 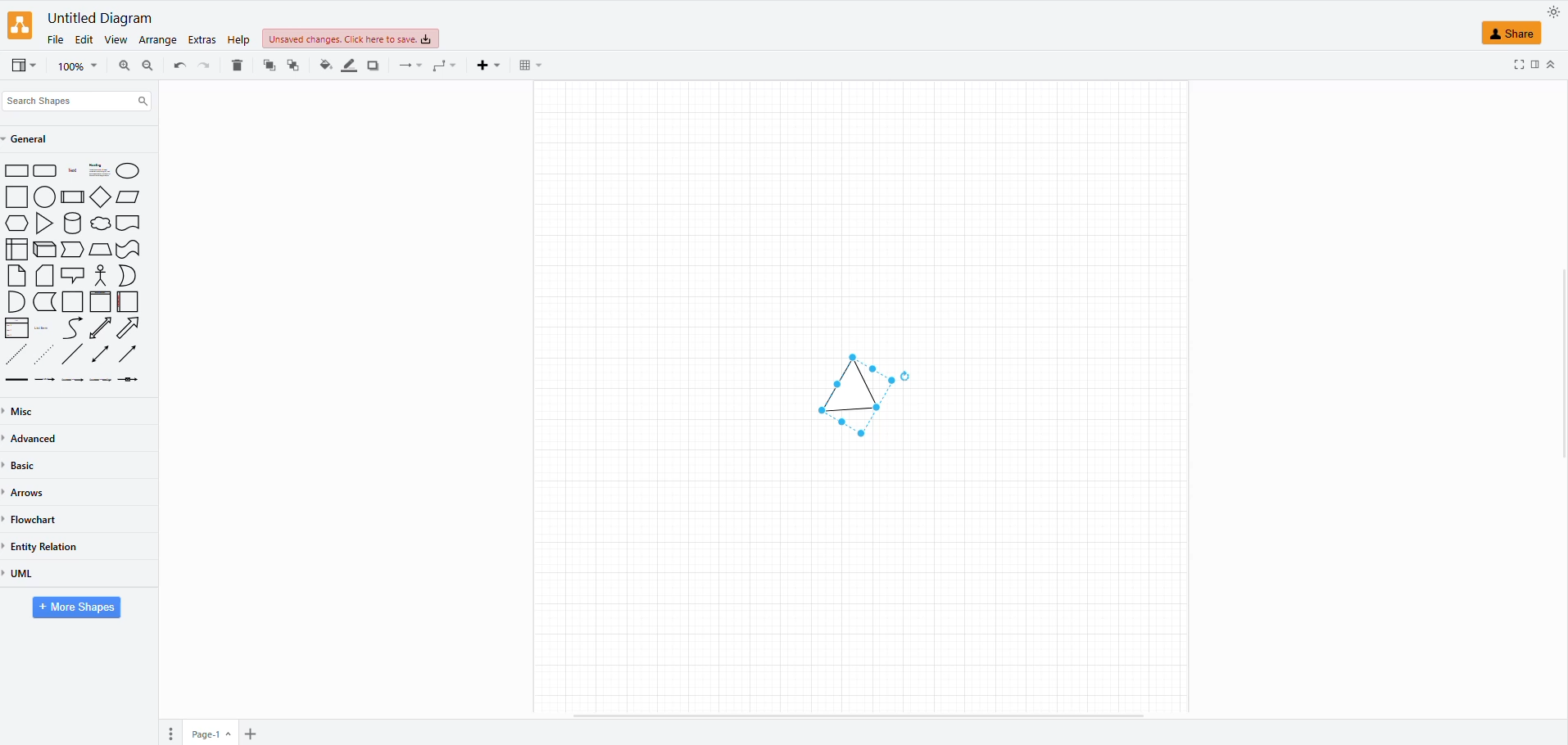 What do you see at coordinates (46, 170) in the screenshot?
I see `Rounded Box` at bounding box center [46, 170].